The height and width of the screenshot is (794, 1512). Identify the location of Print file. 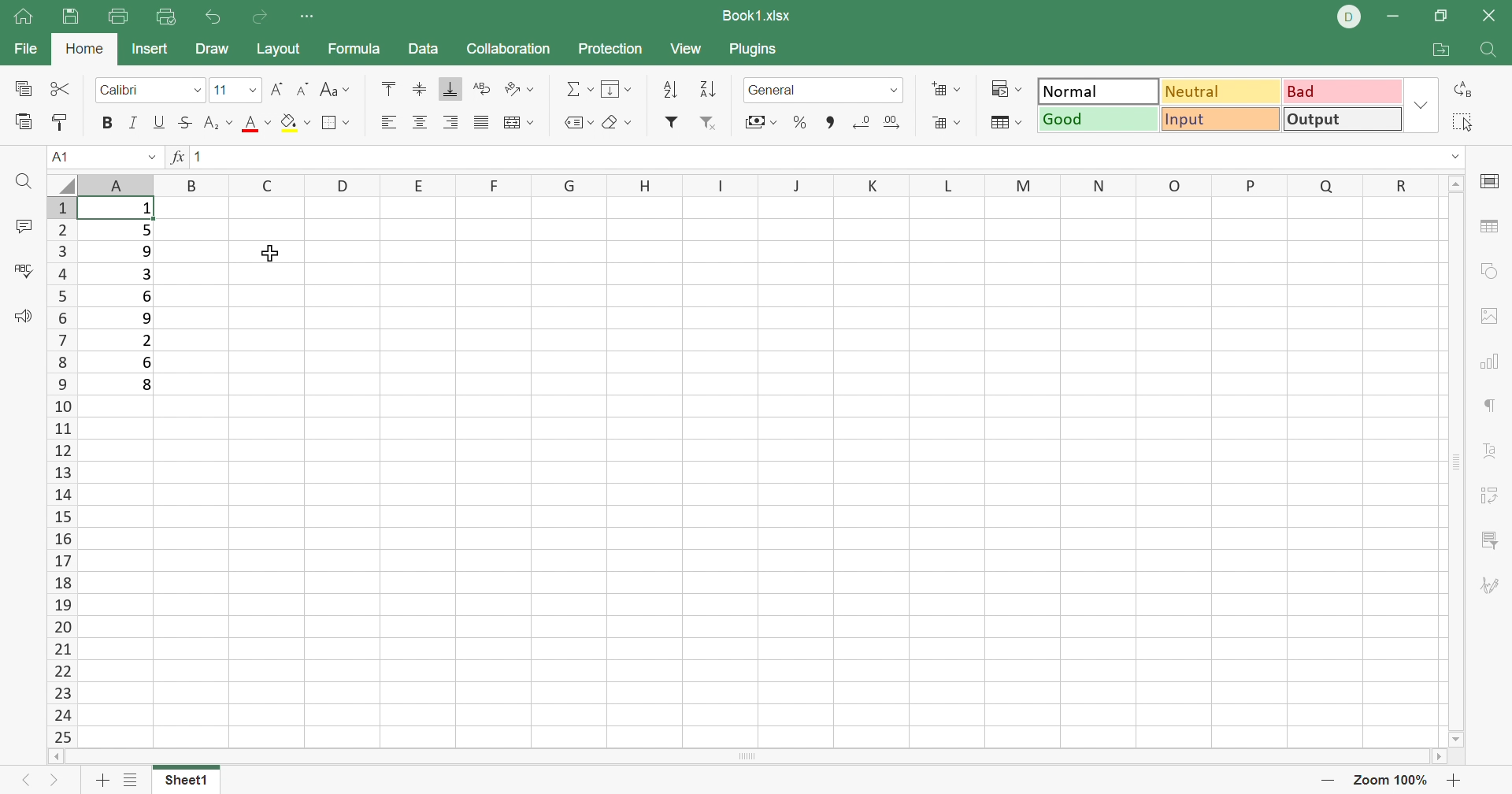
(117, 16).